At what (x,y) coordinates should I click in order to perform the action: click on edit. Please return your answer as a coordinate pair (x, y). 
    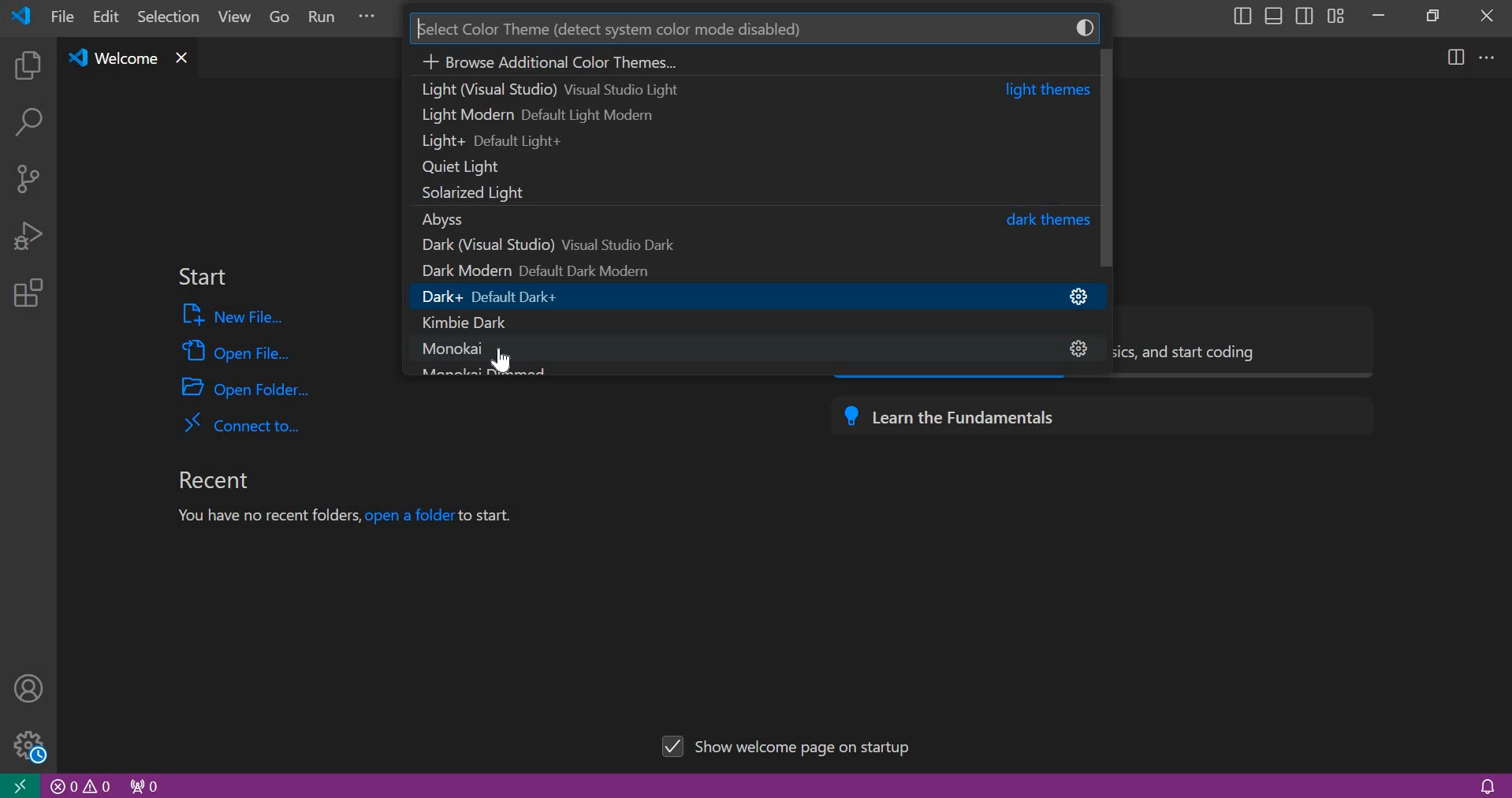
    Looking at the image, I should click on (107, 17).